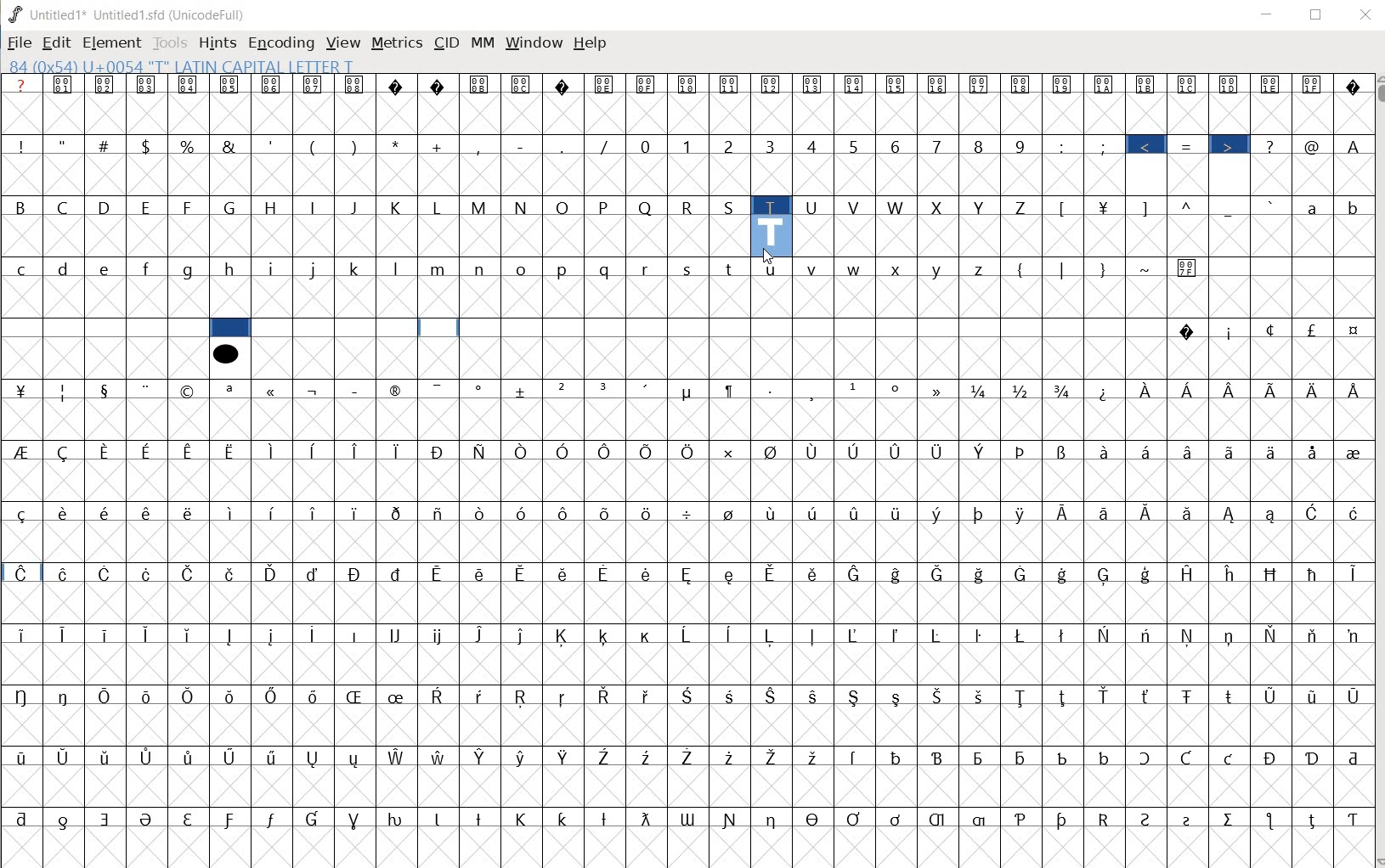 The width and height of the screenshot is (1385, 868). Describe the element at coordinates (815, 511) in the screenshot. I see `Symbol` at that location.